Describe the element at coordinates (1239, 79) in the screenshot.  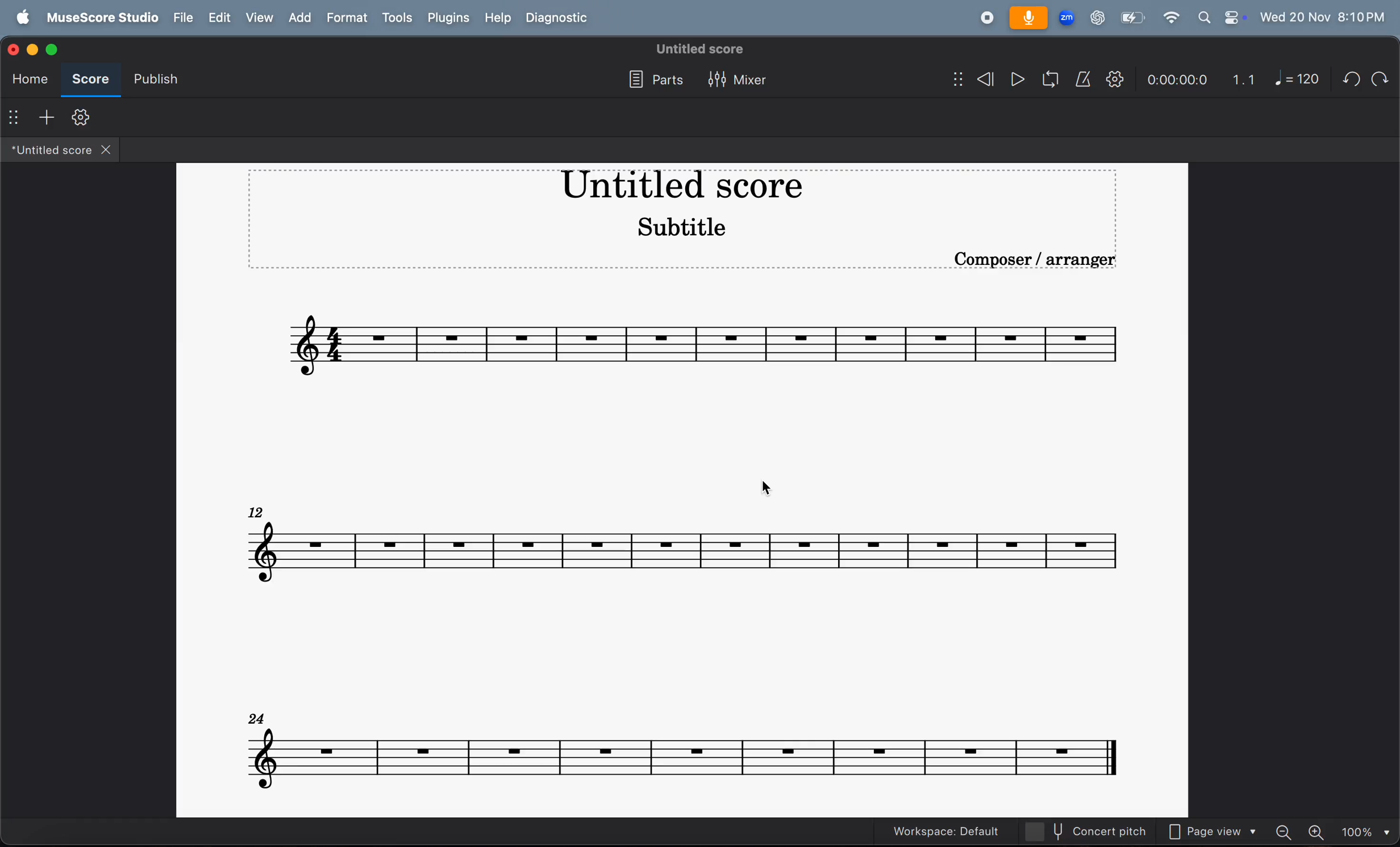
I see `1.1` at that location.